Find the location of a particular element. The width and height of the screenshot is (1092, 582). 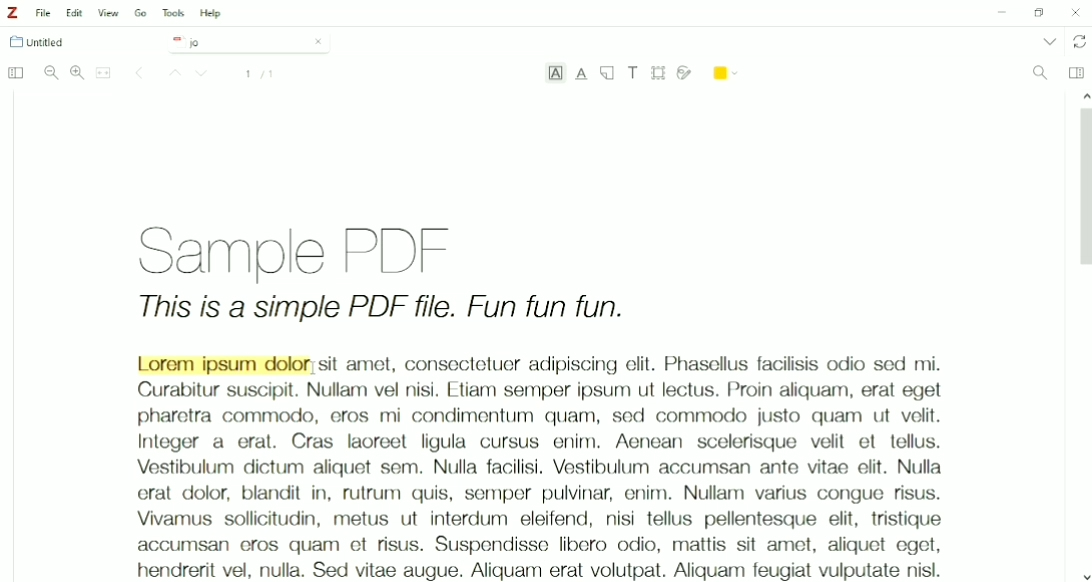

Merge is located at coordinates (104, 73).